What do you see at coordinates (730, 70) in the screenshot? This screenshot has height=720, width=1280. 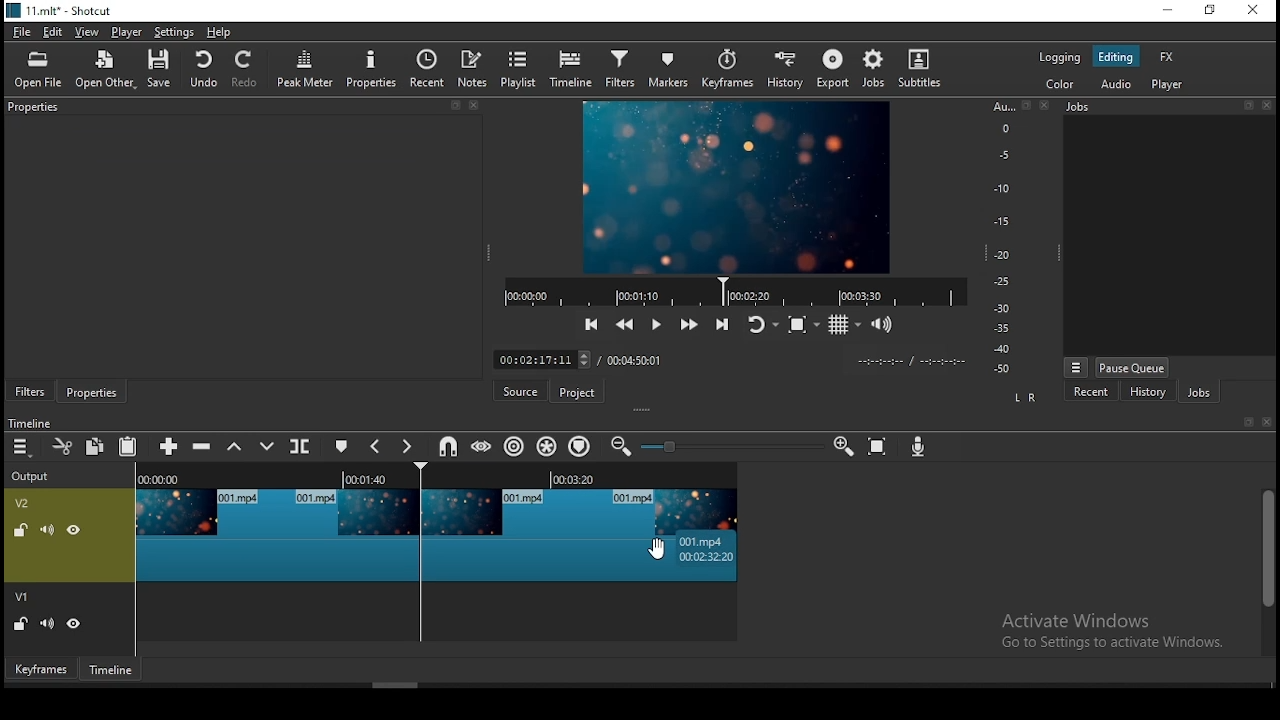 I see `keyframes` at bounding box center [730, 70].